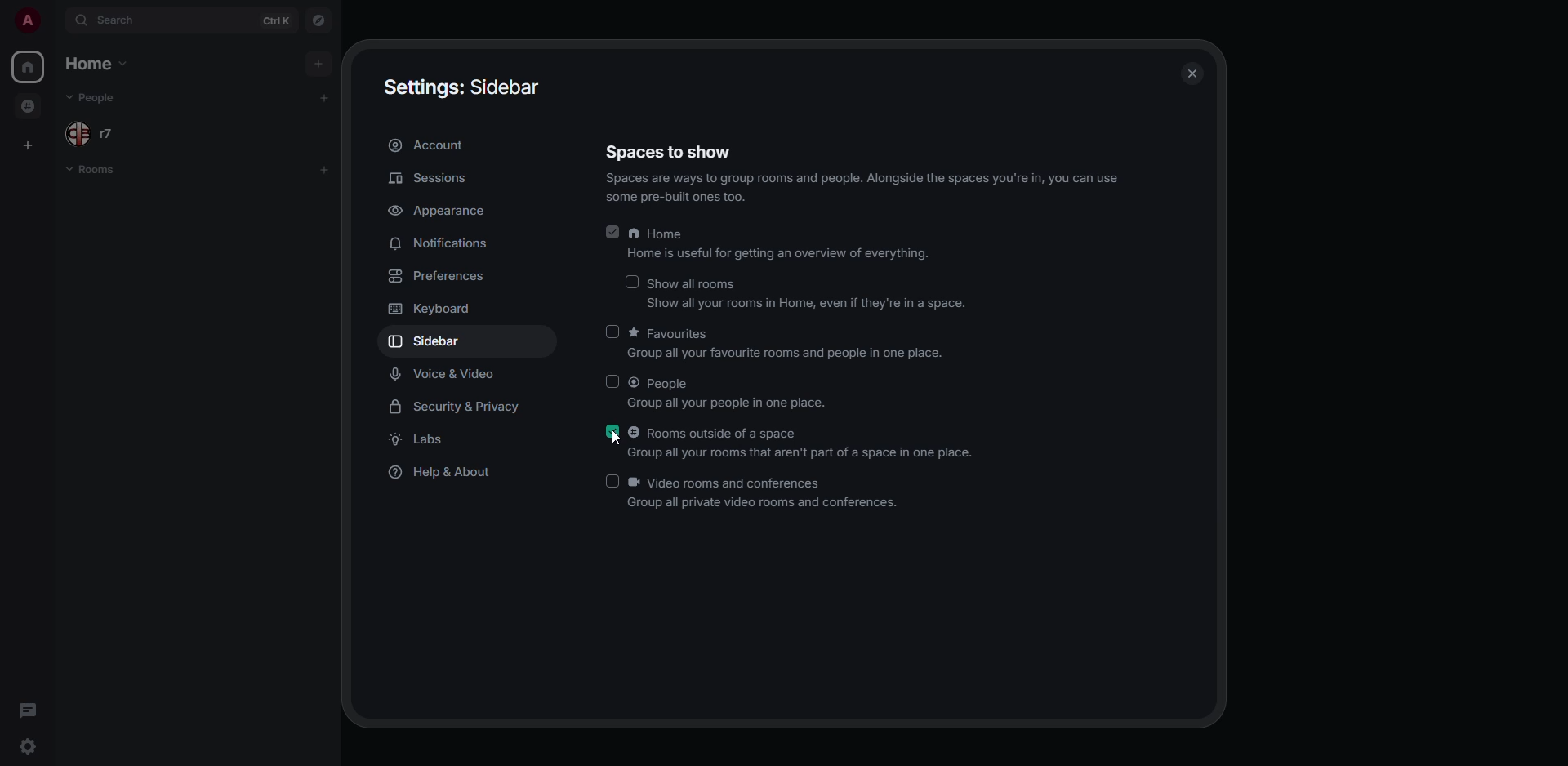  Describe the element at coordinates (29, 65) in the screenshot. I see `home` at that location.